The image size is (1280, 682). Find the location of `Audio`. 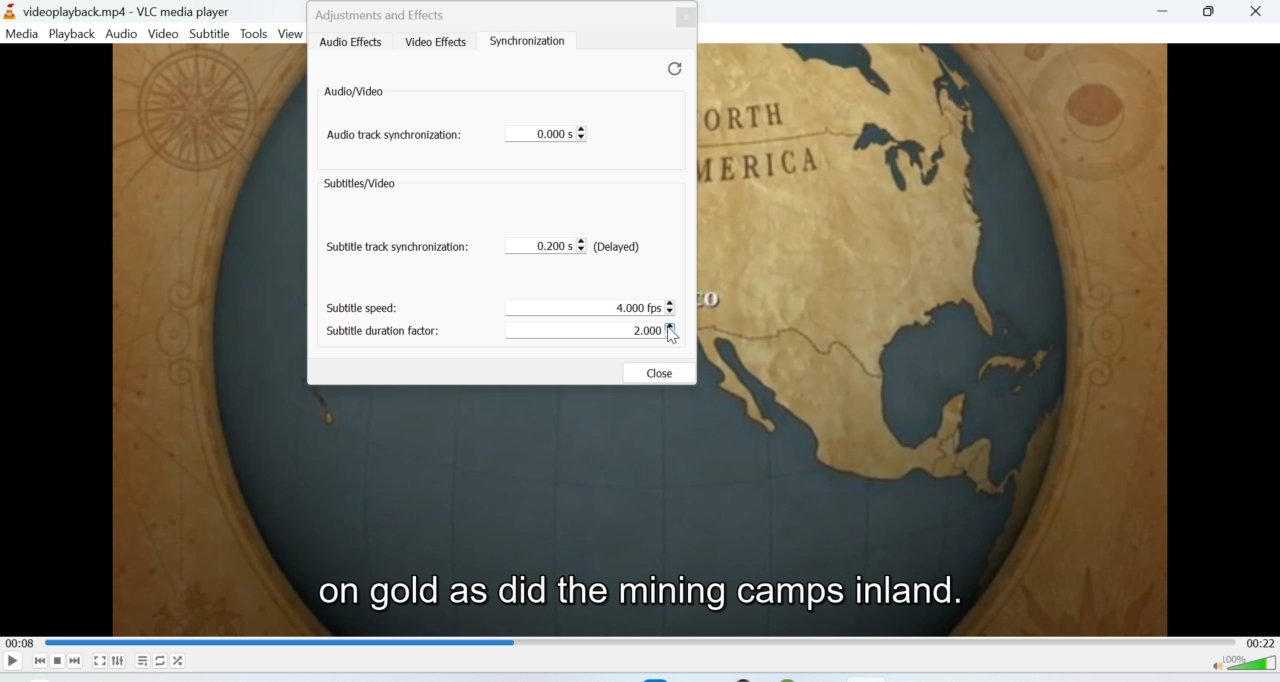

Audio is located at coordinates (123, 35).